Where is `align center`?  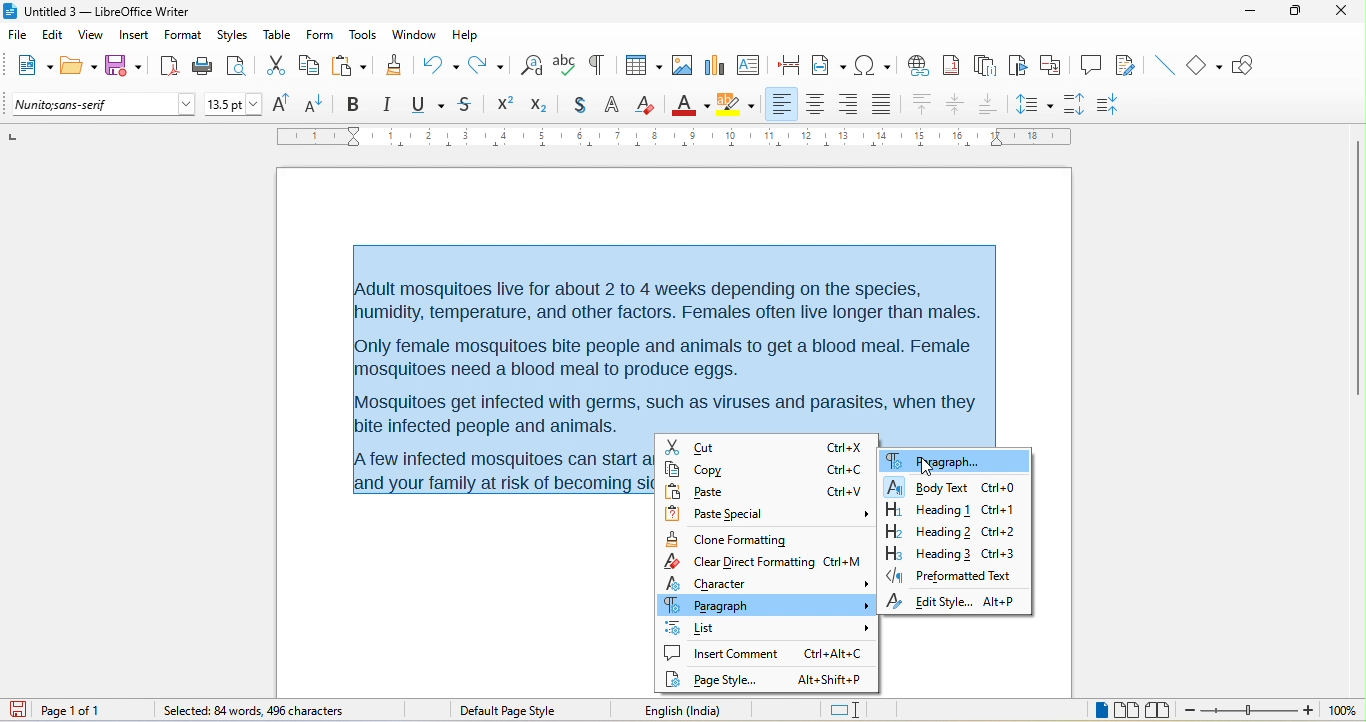 align center is located at coordinates (816, 105).